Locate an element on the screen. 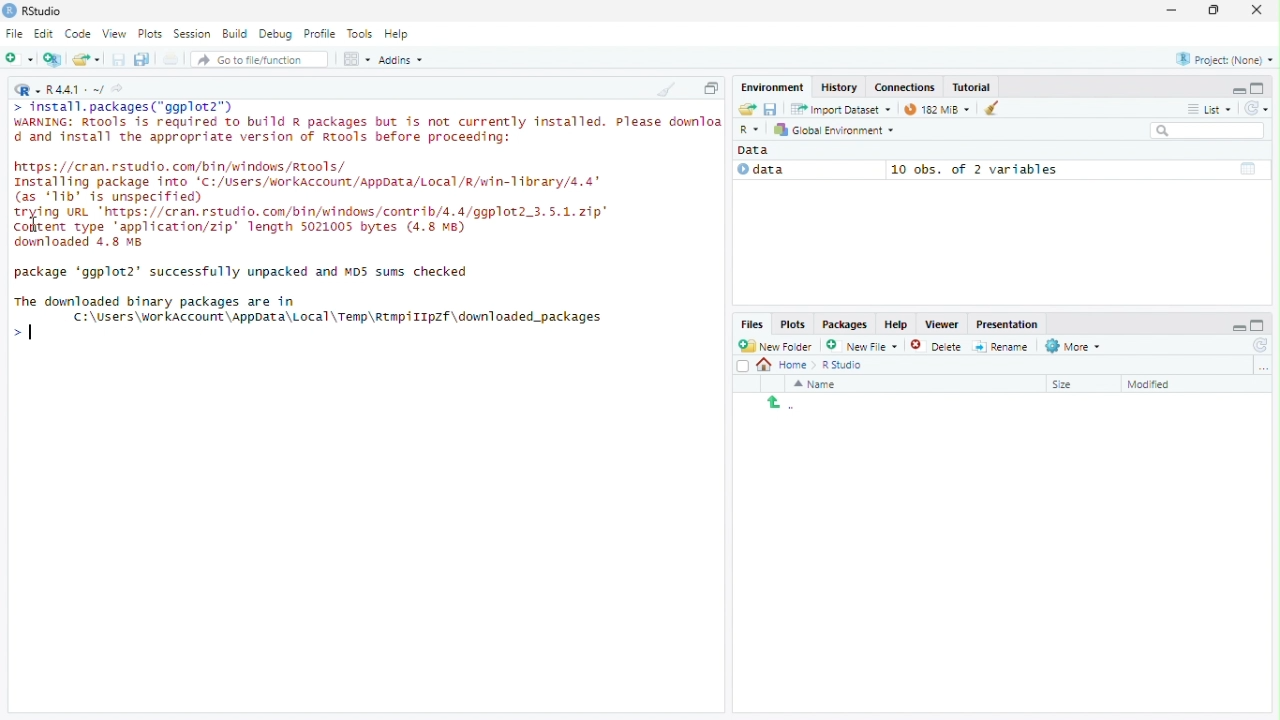  Tools is located at coordinates (361, 34).